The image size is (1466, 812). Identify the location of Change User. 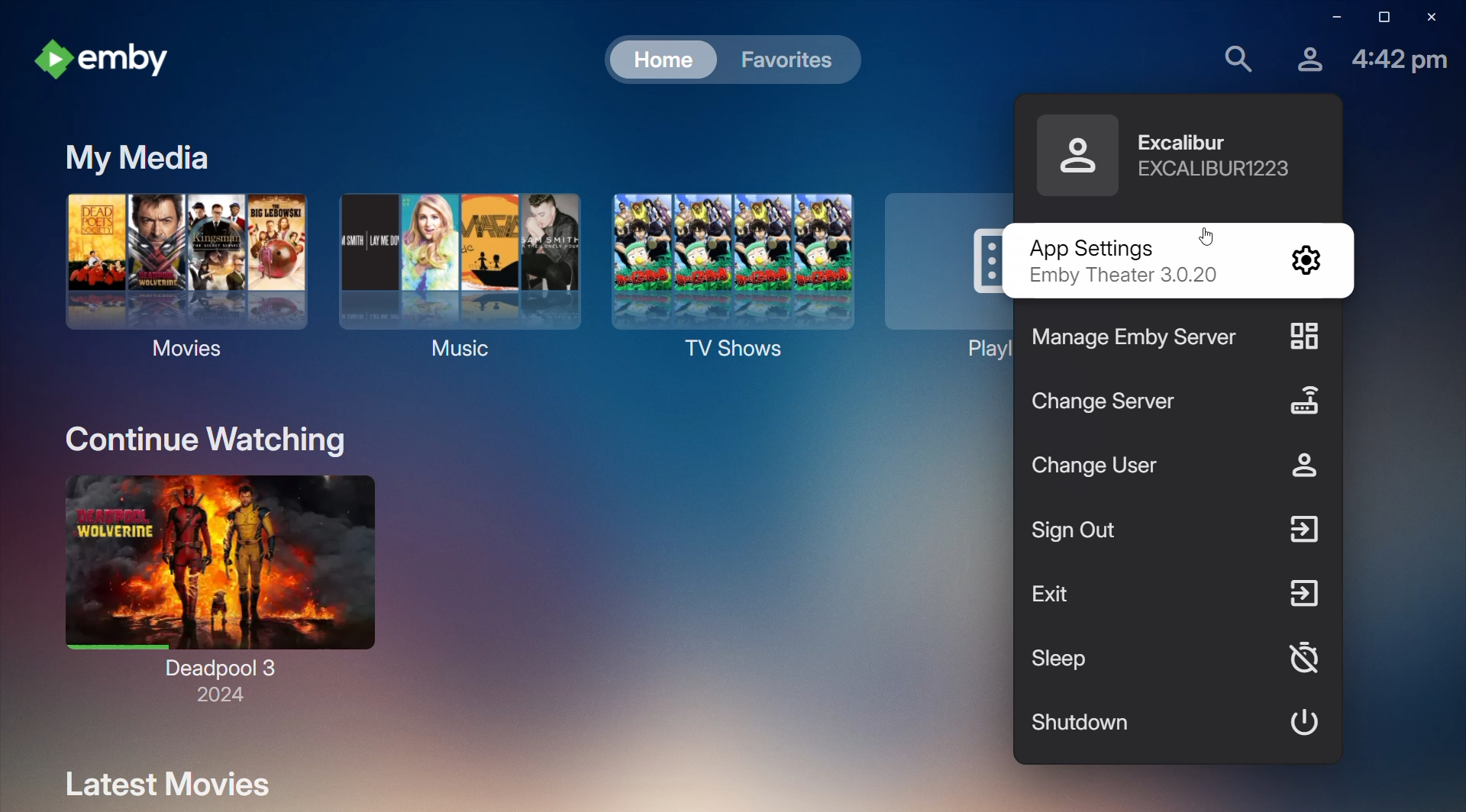
(1175, 469).